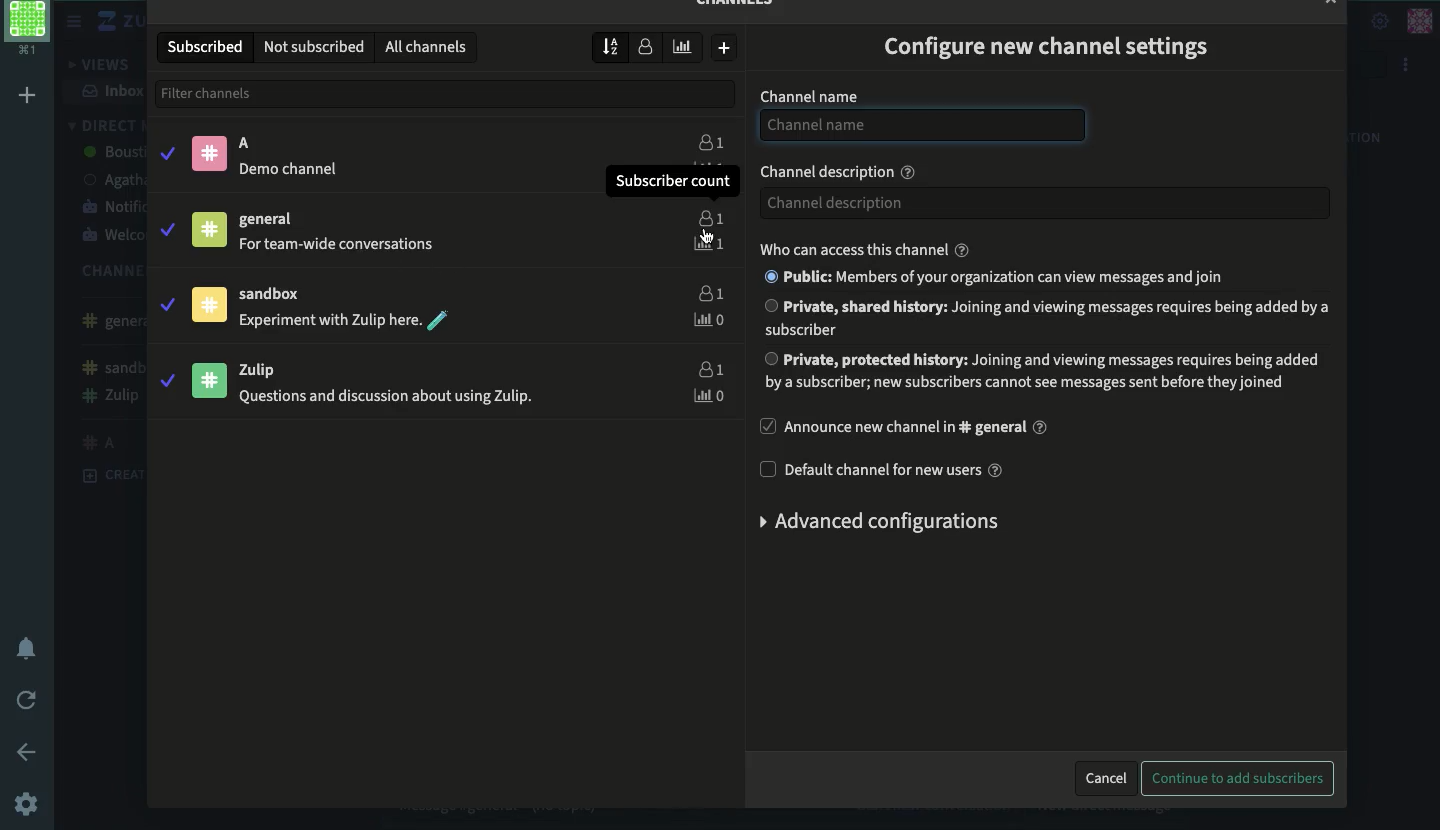 This screenshot has height=830, width=1440. I want to click on filter channels, so click(444, 94).